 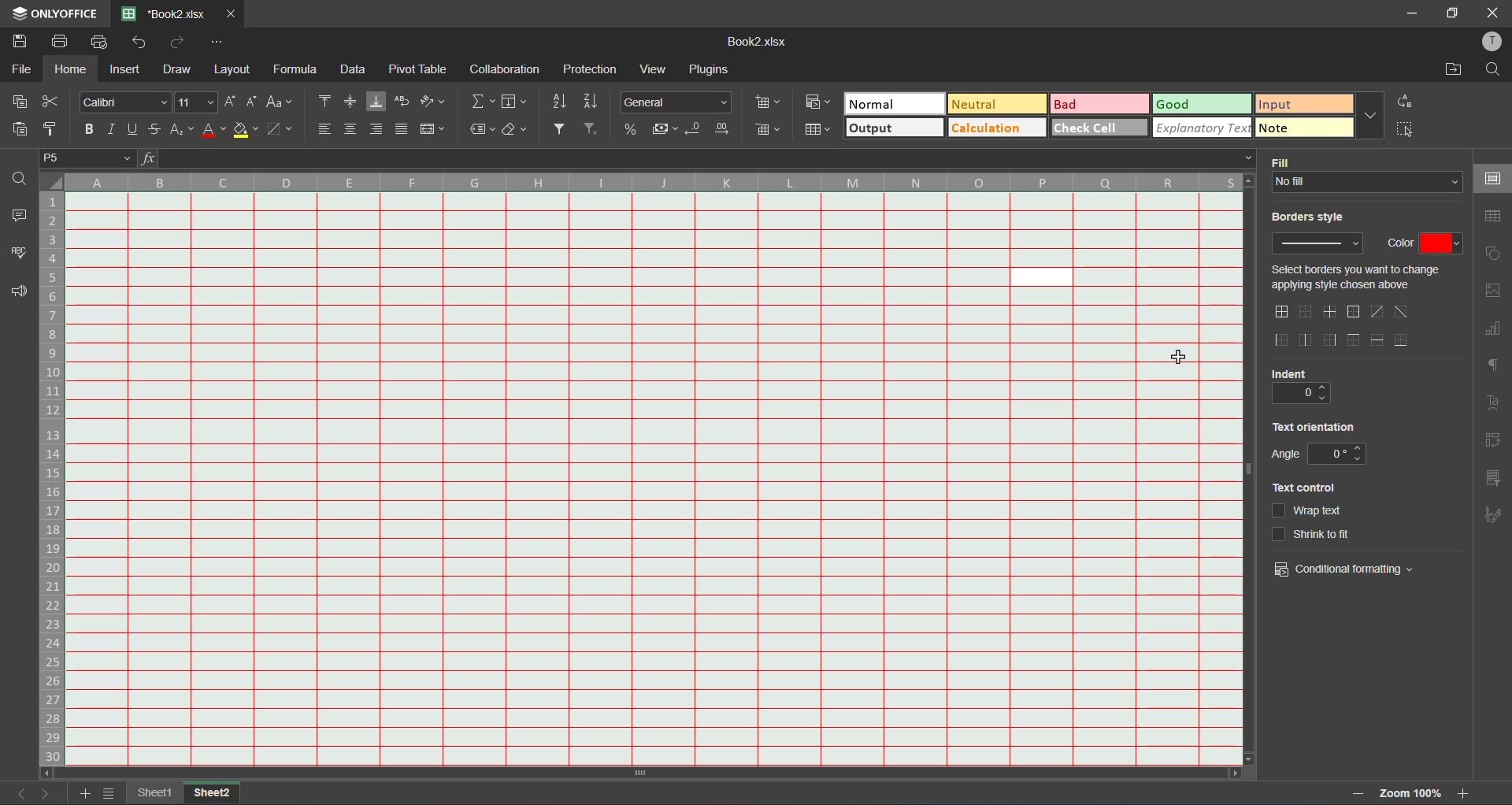 I want to click on previous, so click(x=16, y=792).